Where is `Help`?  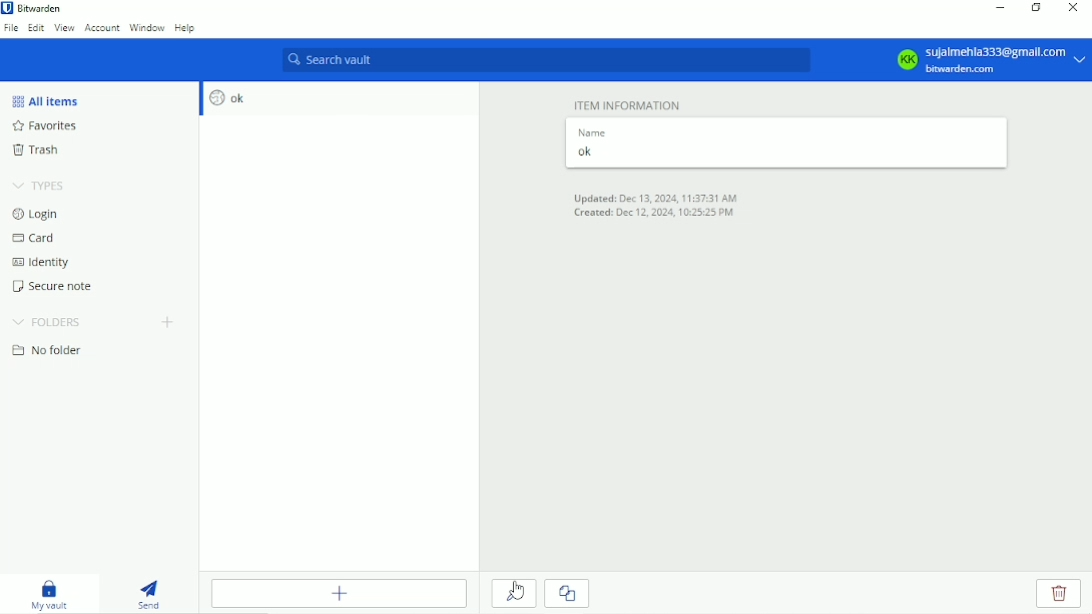 Help is located at coordinates (185, 28).